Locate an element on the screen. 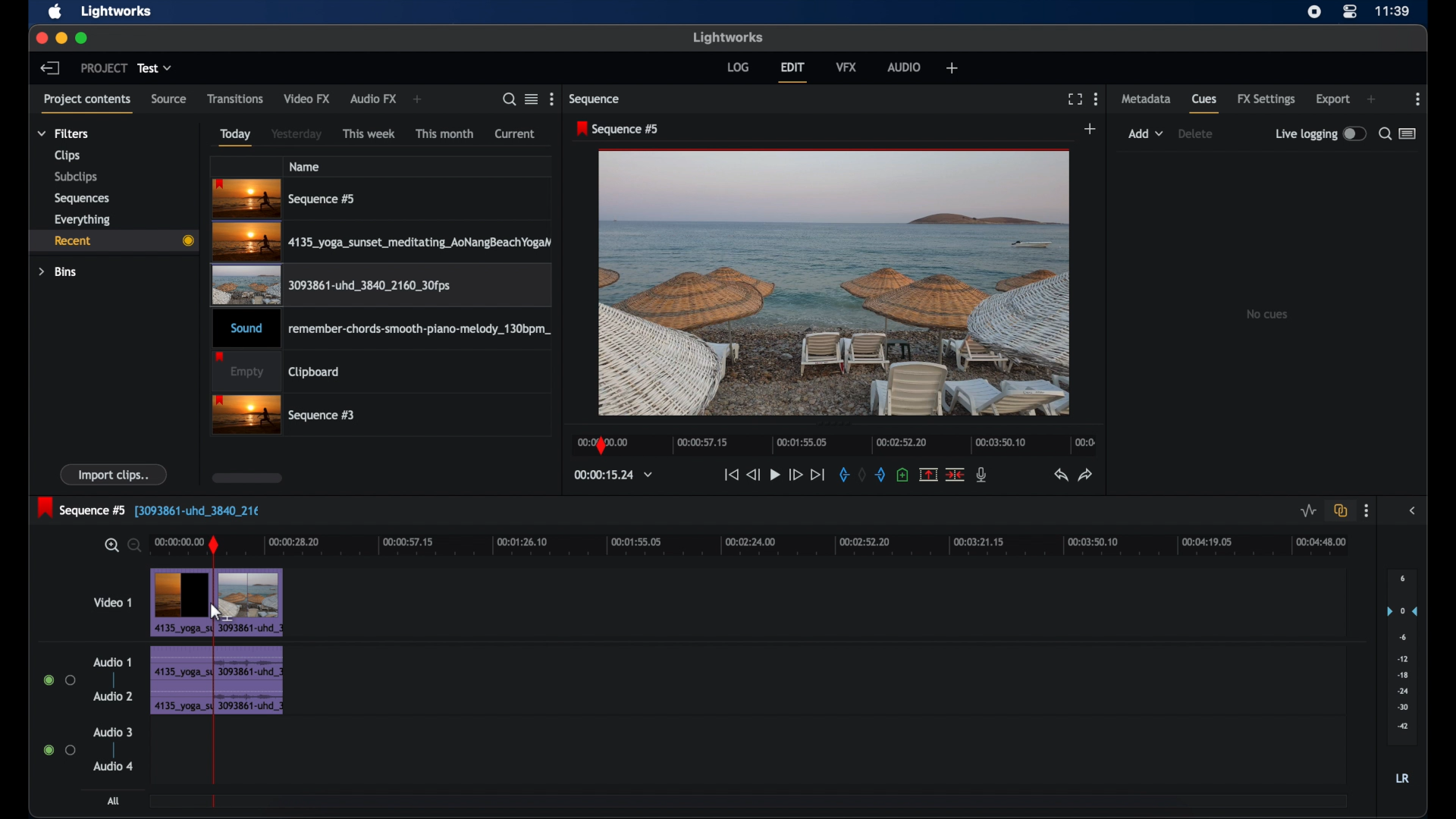 Image resolution: width=1456 pixels, height=819 pixels. import clips is located at coordinates (114, 474).